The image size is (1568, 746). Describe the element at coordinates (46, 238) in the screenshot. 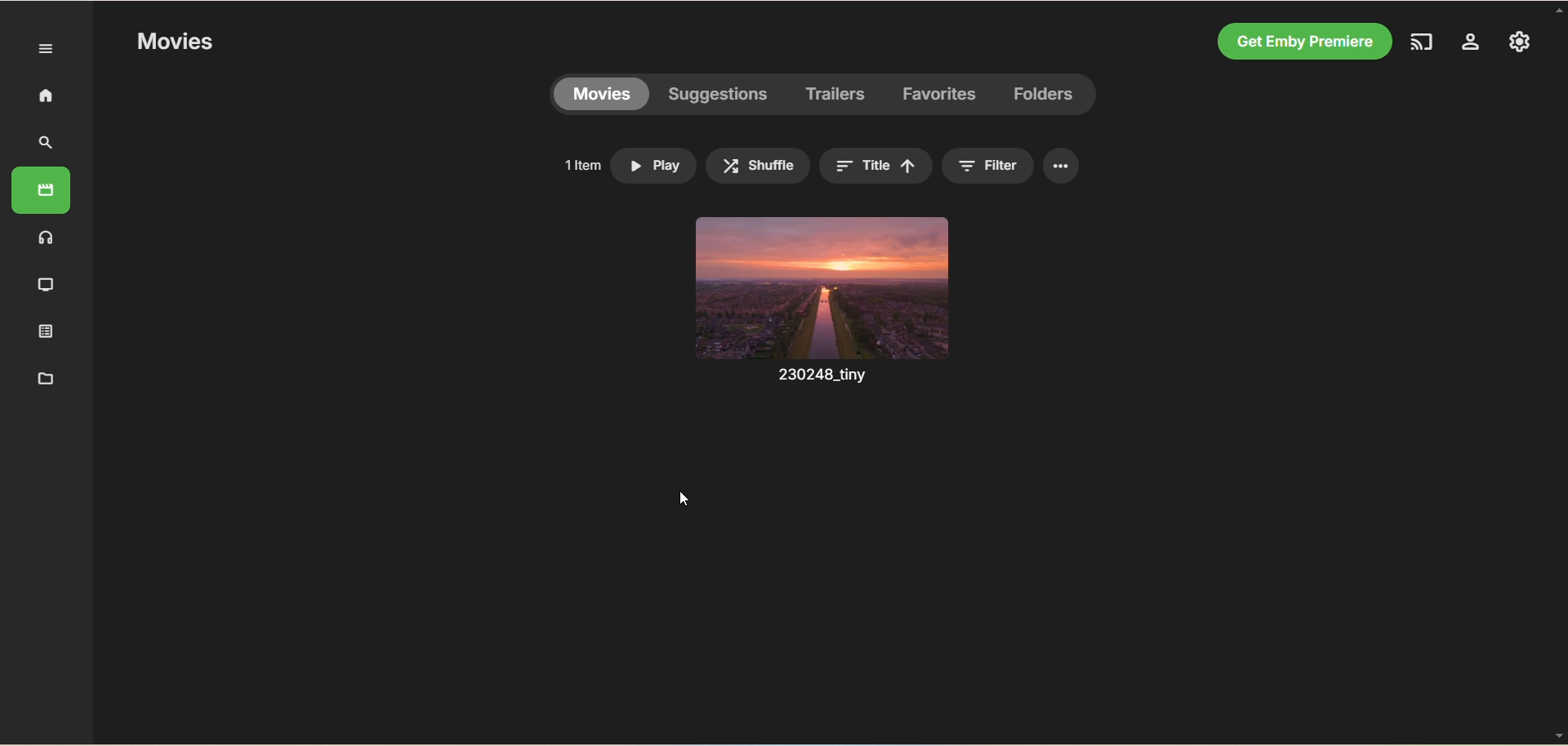

I see `music` at that location.